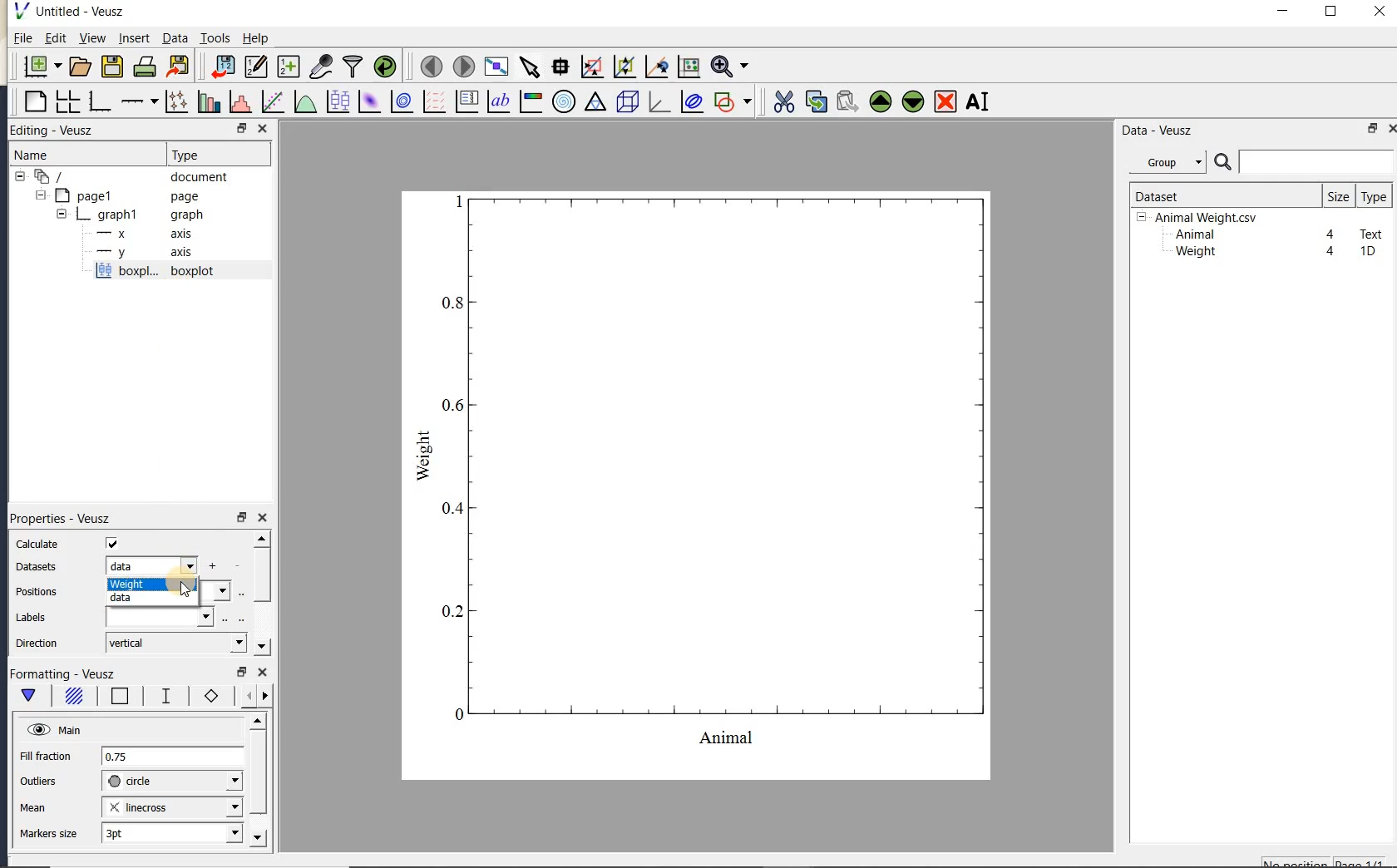  Describe the element at coordinates (67, 101) in the screenshot. I see `arrange graphs in a grid` at that location.